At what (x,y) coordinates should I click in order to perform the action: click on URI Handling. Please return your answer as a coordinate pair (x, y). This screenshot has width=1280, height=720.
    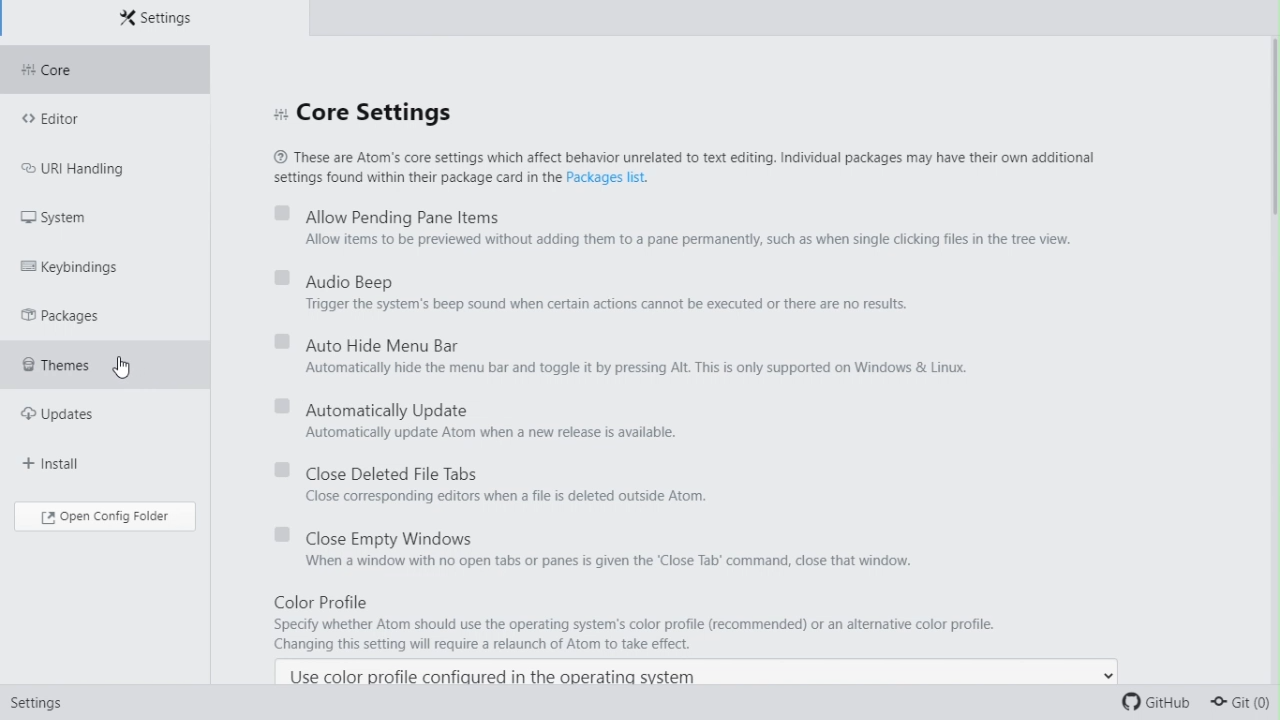
    Looking at the image, I should click on (90, 173).